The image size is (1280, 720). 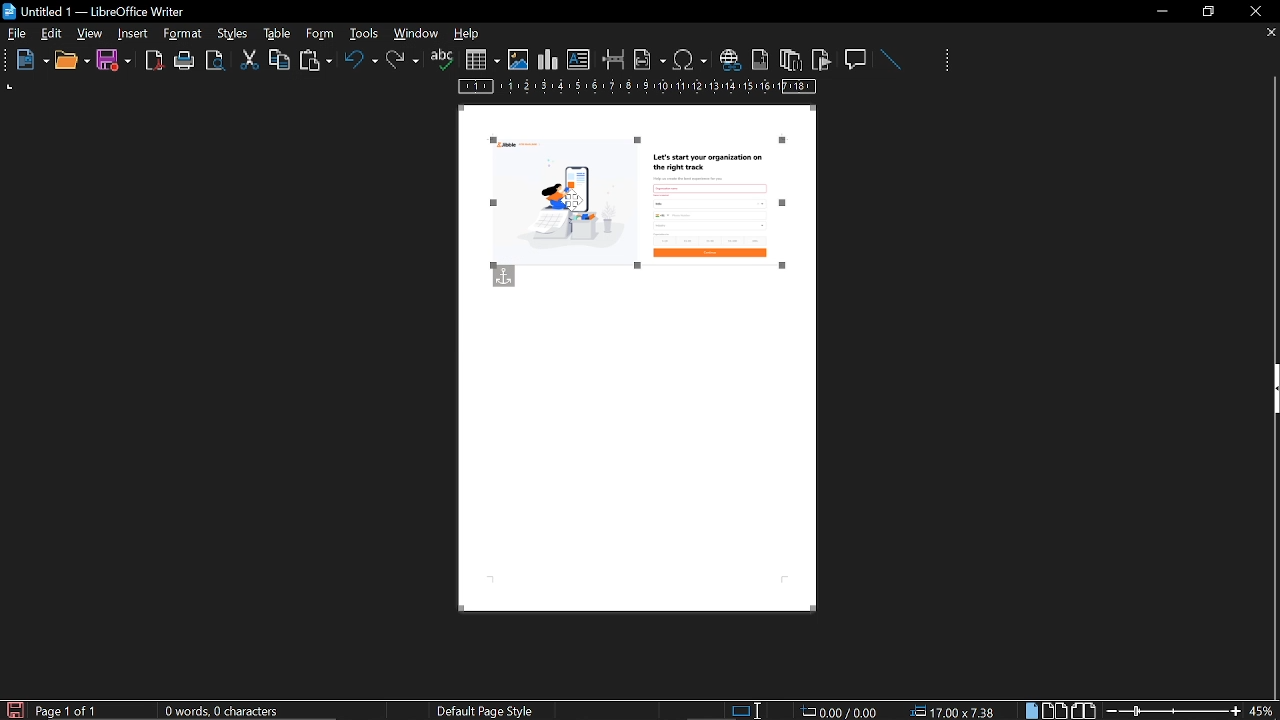 What do you see at coordinates (279, 59) in the screenshot?
I see `copy` at bounding box center [279, 59].